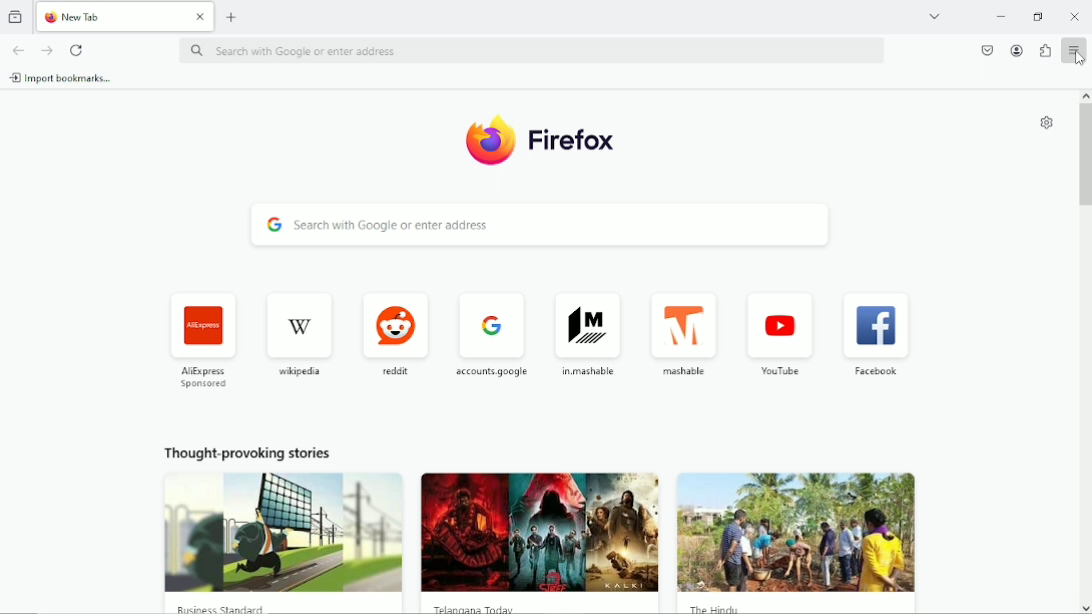 The image size is (1092, 614). I want to click on Thought provoking stories, so click(539, 532).